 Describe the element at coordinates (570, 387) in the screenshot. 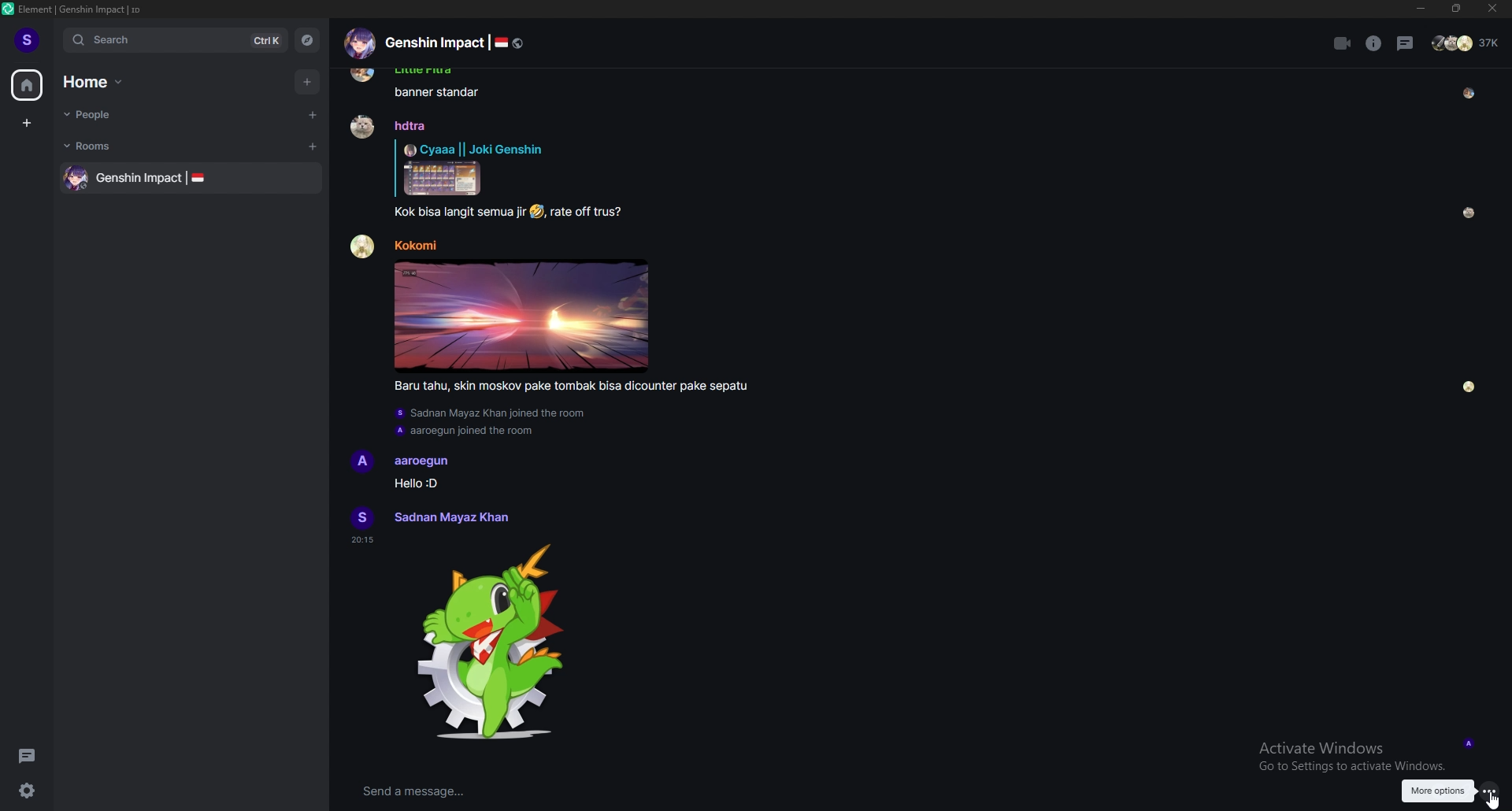

I see `Baru tahu, skin moskov pake tombak bisa dicounter pake sepatu` at that location.